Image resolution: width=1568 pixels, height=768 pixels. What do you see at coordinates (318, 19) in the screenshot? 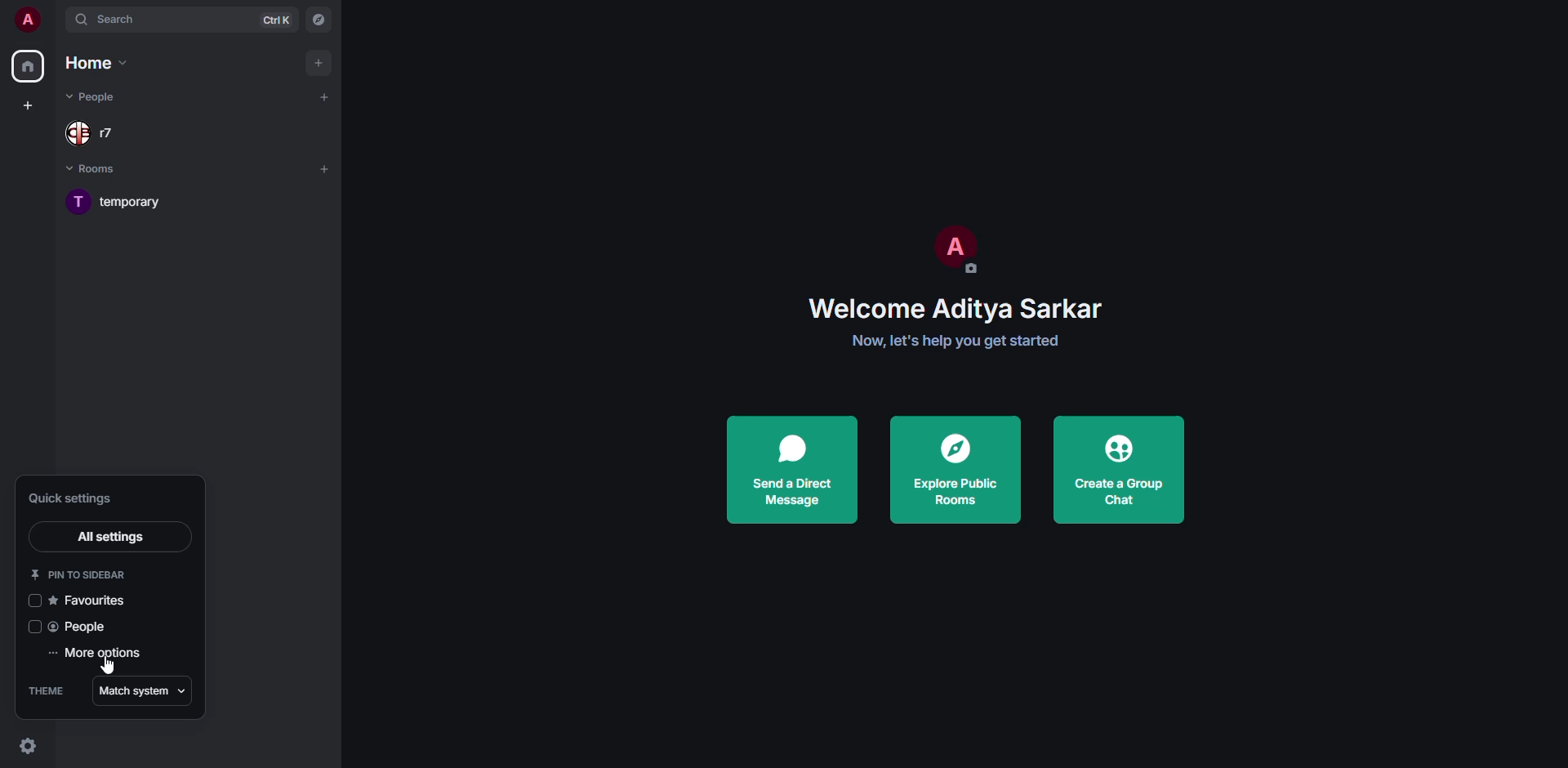
I see `navigator` at bounding box center [318, 19].